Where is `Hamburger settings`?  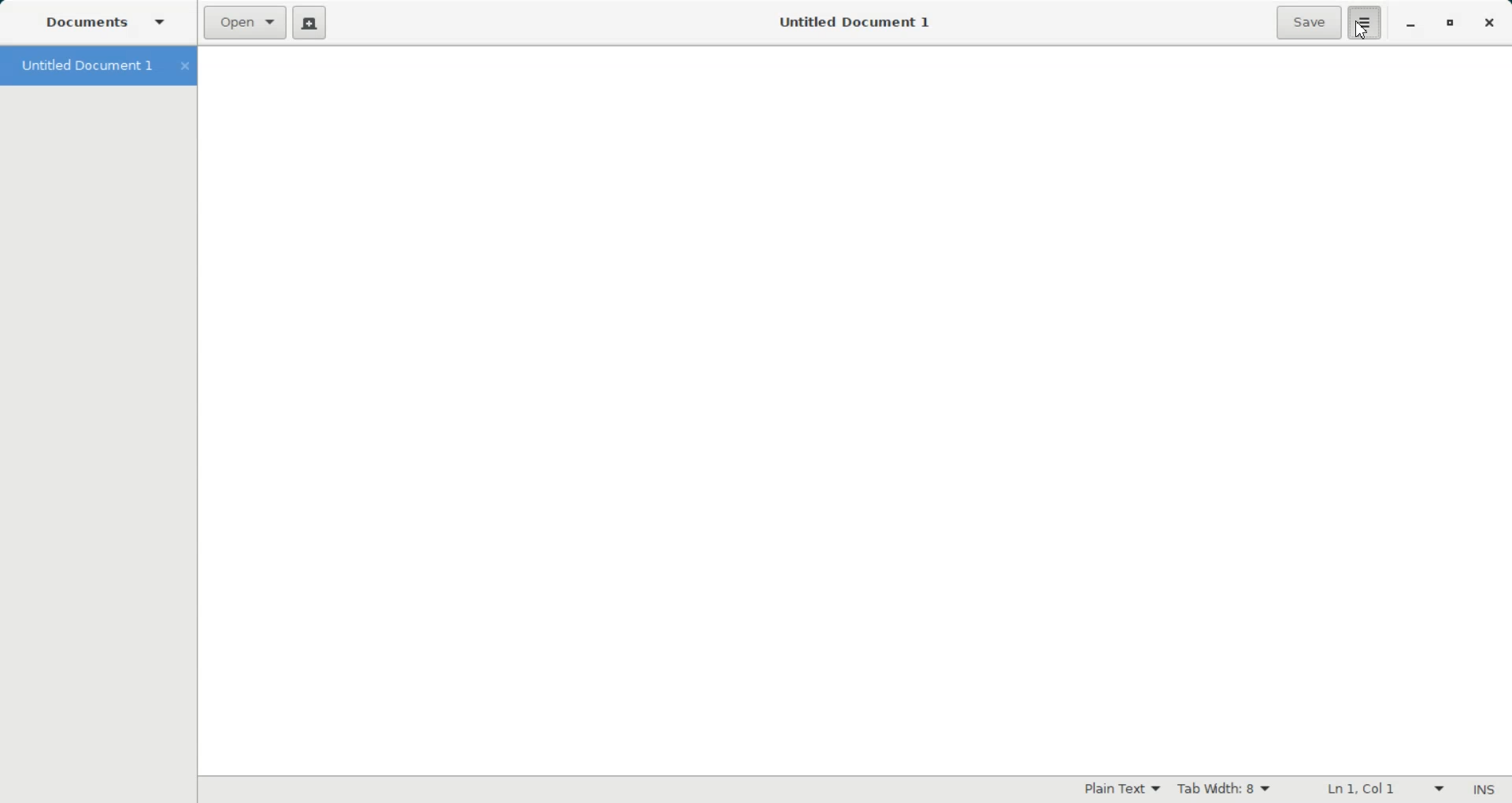 Hamburger settings is located at coordinates (1366, 23).